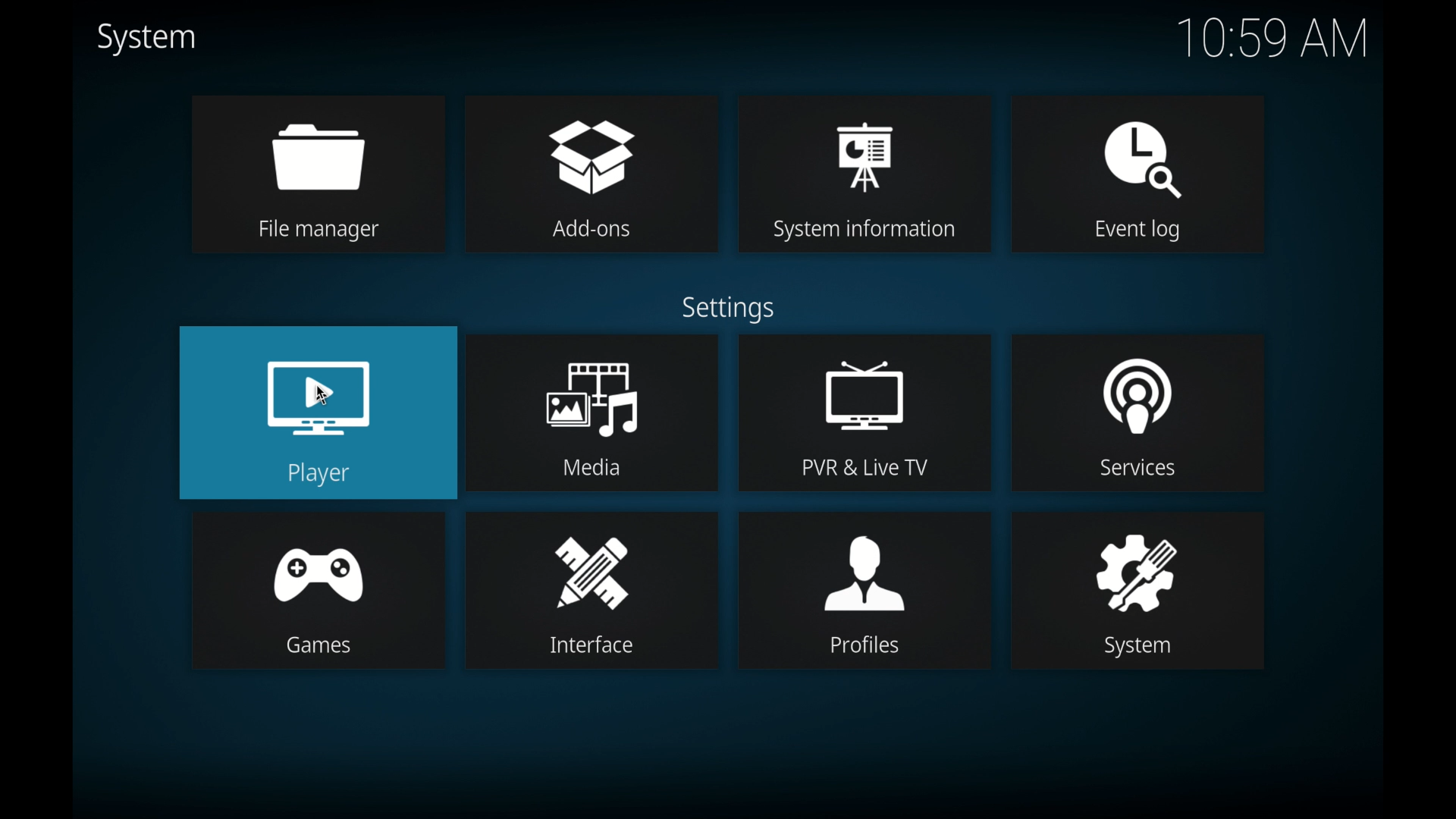  I want to click on services, so click(1141, 412).